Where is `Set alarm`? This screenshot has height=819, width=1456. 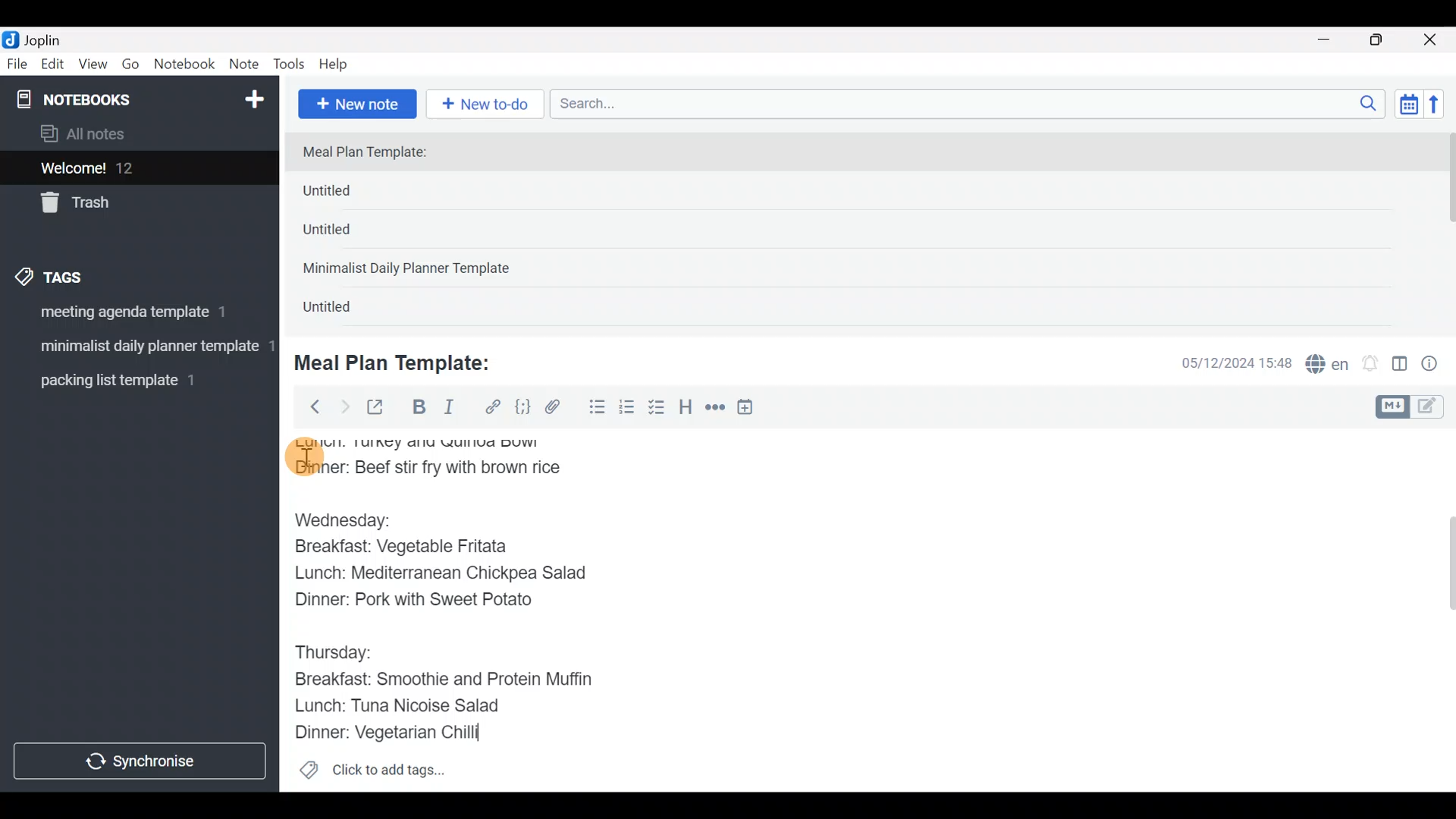 Set alarm is located at coordinates (1371, 365).